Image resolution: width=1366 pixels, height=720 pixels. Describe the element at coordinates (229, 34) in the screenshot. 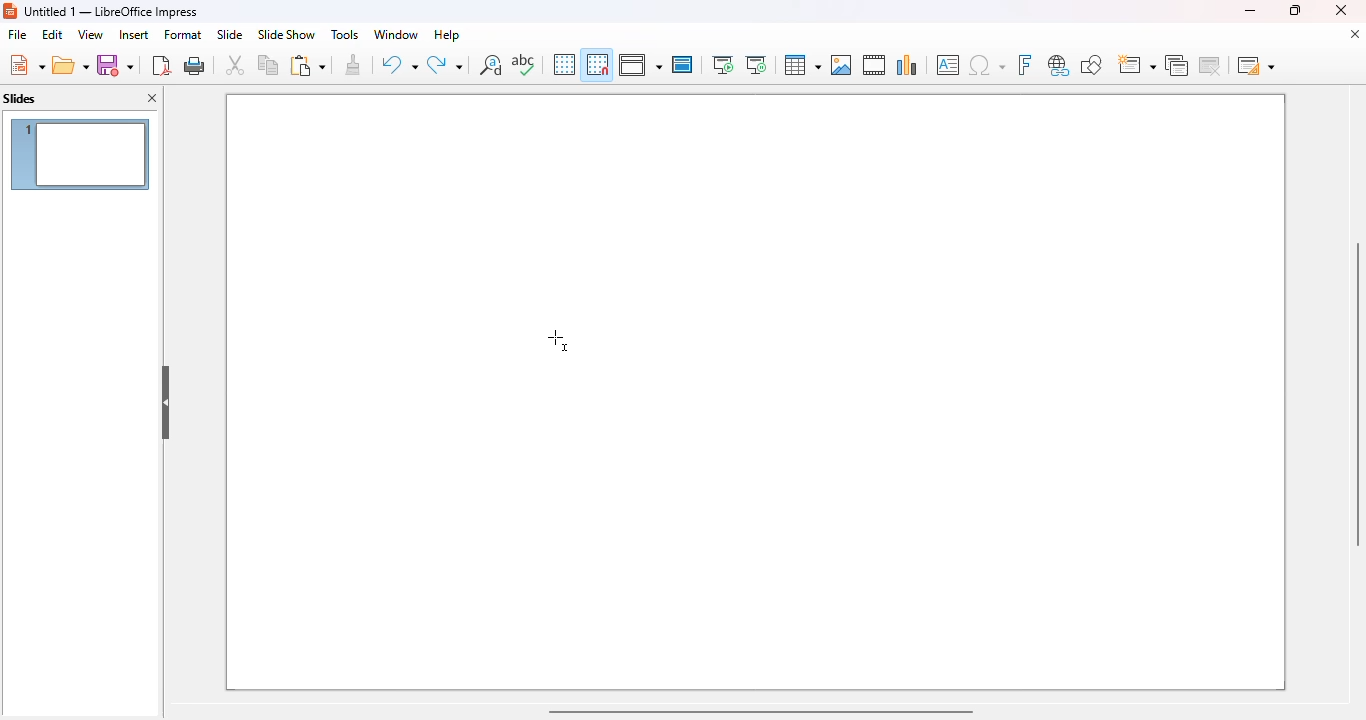

I see `slide` at that location.